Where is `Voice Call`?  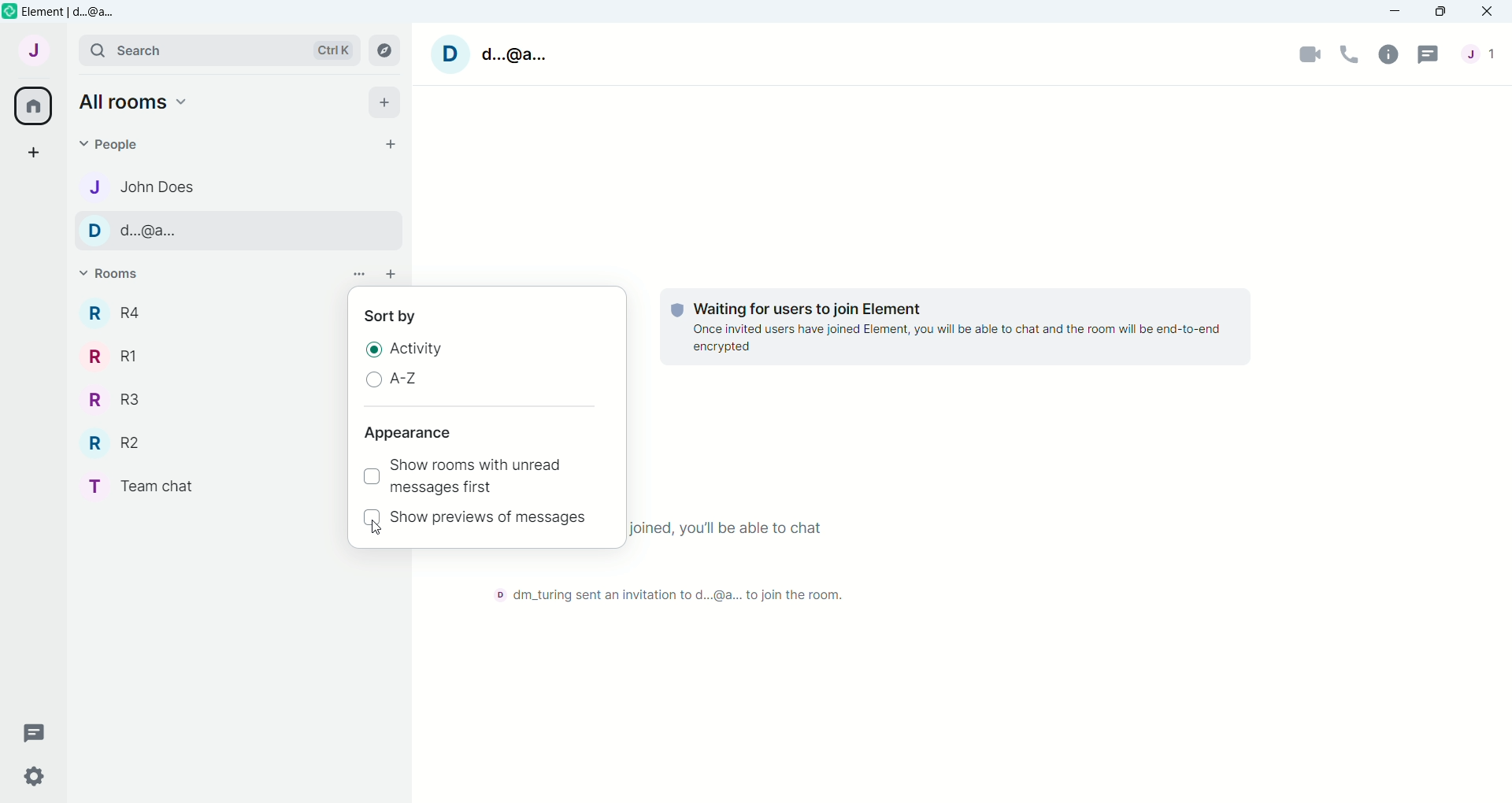 Voice Call is located at coordinates (1349, 54).